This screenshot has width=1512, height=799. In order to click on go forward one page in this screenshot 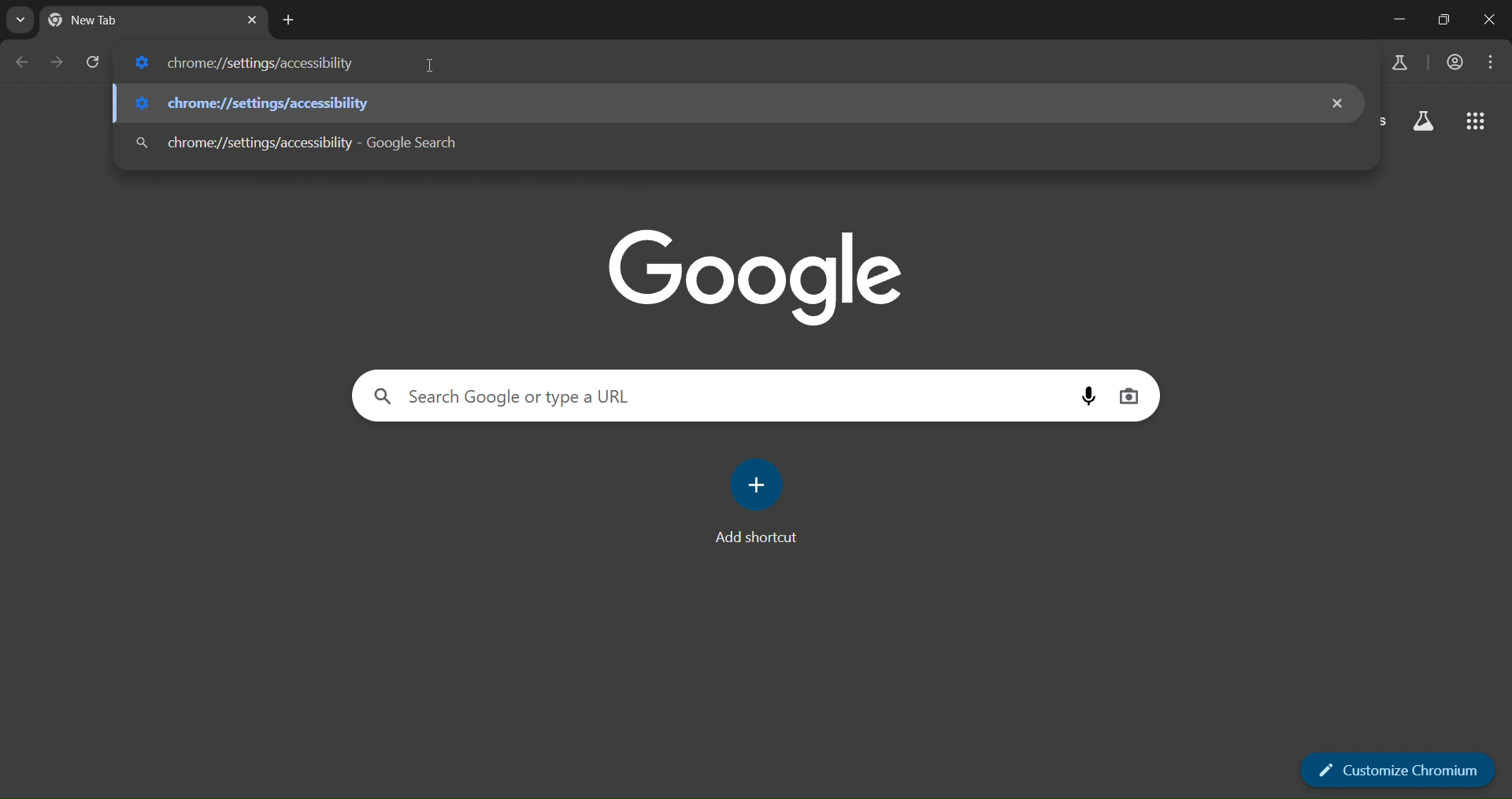, I will do `click(57, 62)`.